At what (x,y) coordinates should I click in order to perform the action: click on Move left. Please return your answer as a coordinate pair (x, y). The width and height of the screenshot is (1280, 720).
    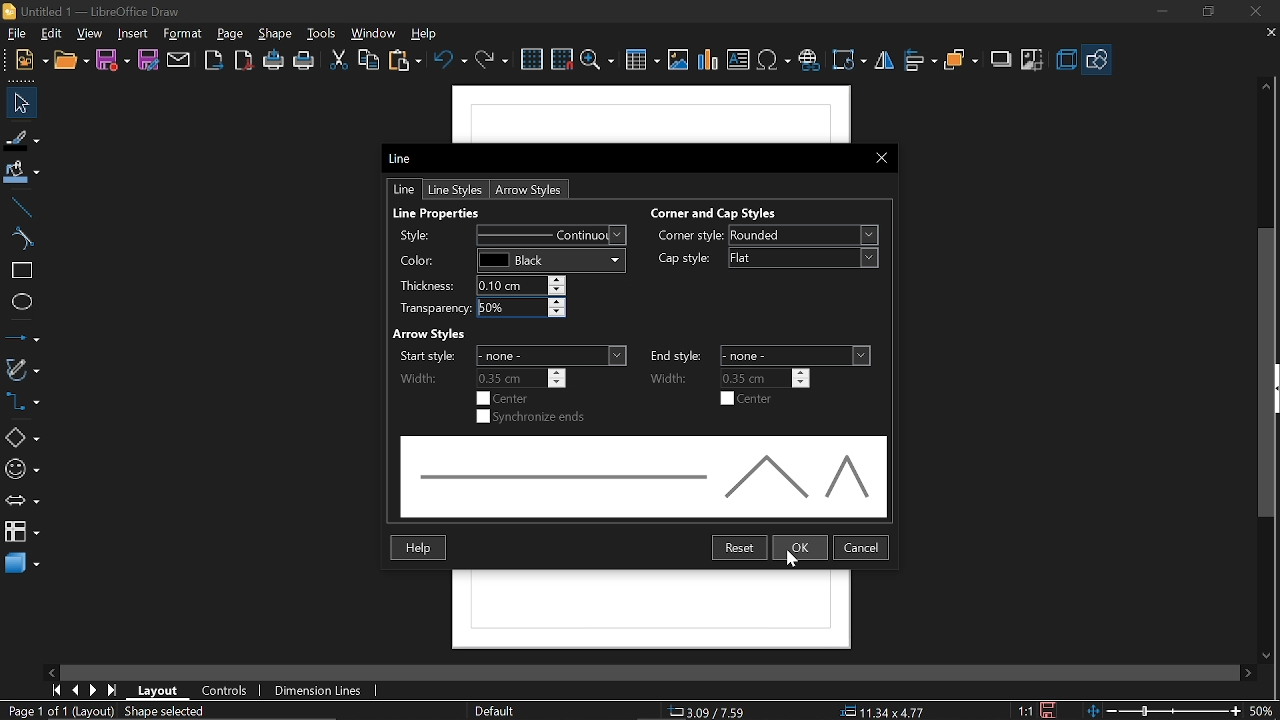
    Looking at the image, I should click on (54, 670).